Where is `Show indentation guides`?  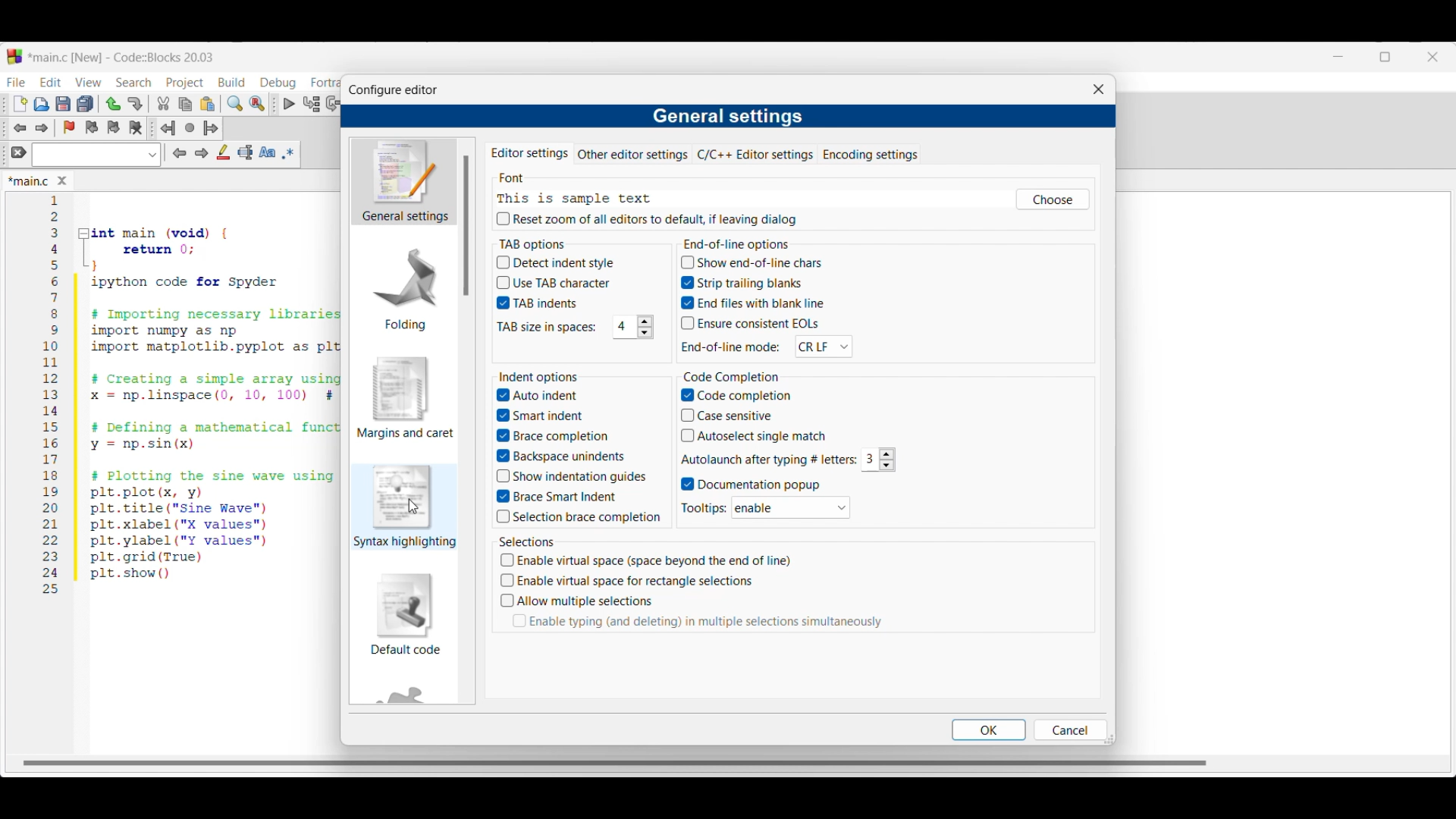
Show indentation guides is located at coordinates (575, 475).